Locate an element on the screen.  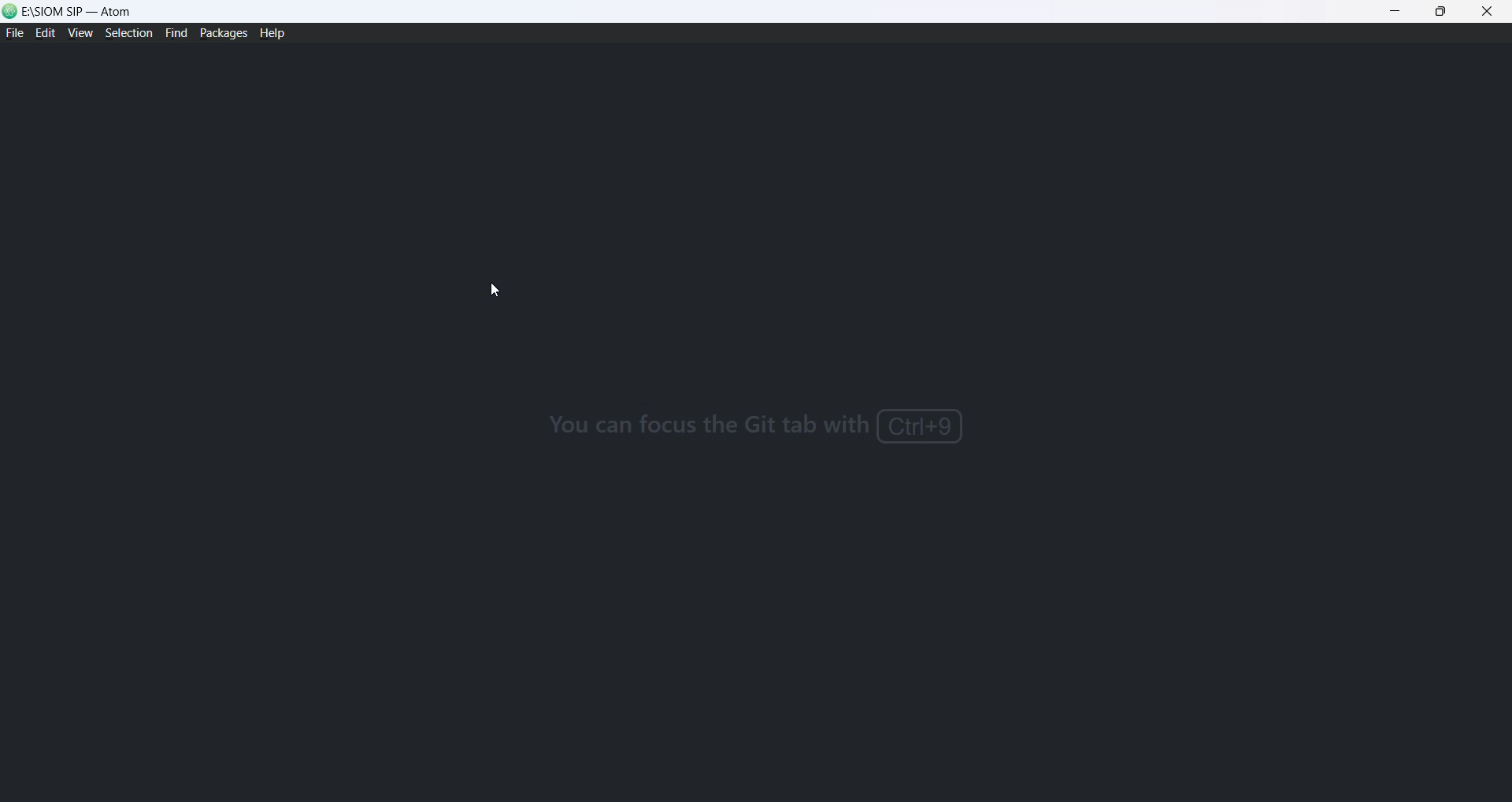
help is located at coordinates (276, 35).